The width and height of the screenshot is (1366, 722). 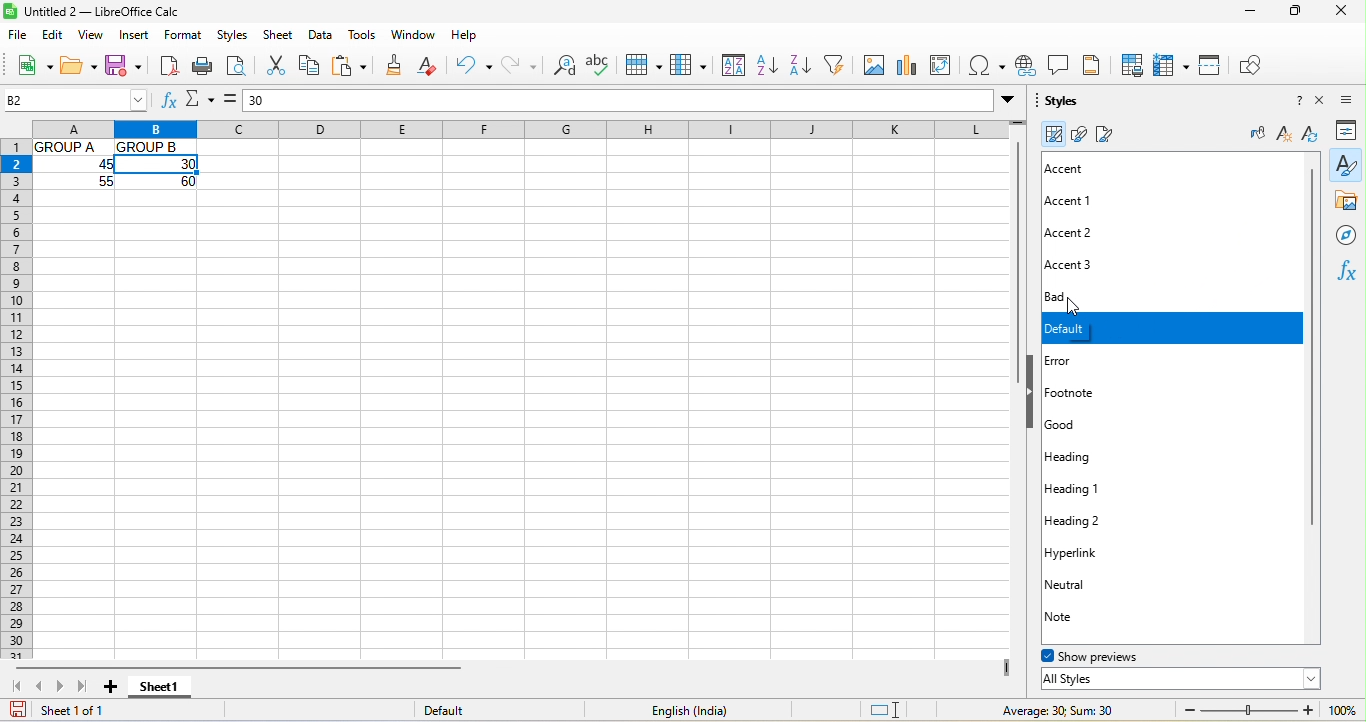 What do you see at coordinates (1032, 393) in the screenshot?
I see `hide` at bounding box center [1032, 393].